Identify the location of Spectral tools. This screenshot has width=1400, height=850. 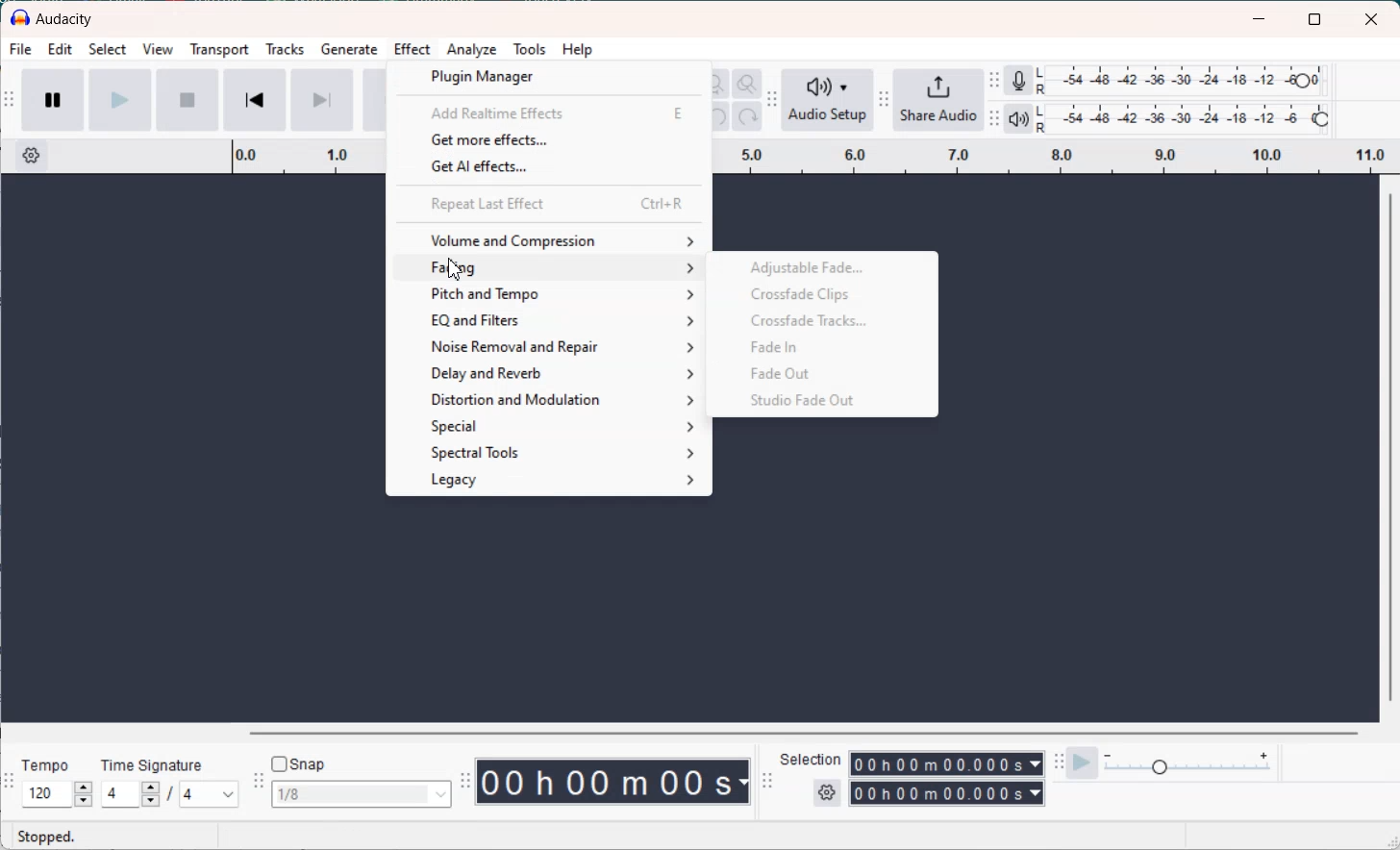
(552, 453).